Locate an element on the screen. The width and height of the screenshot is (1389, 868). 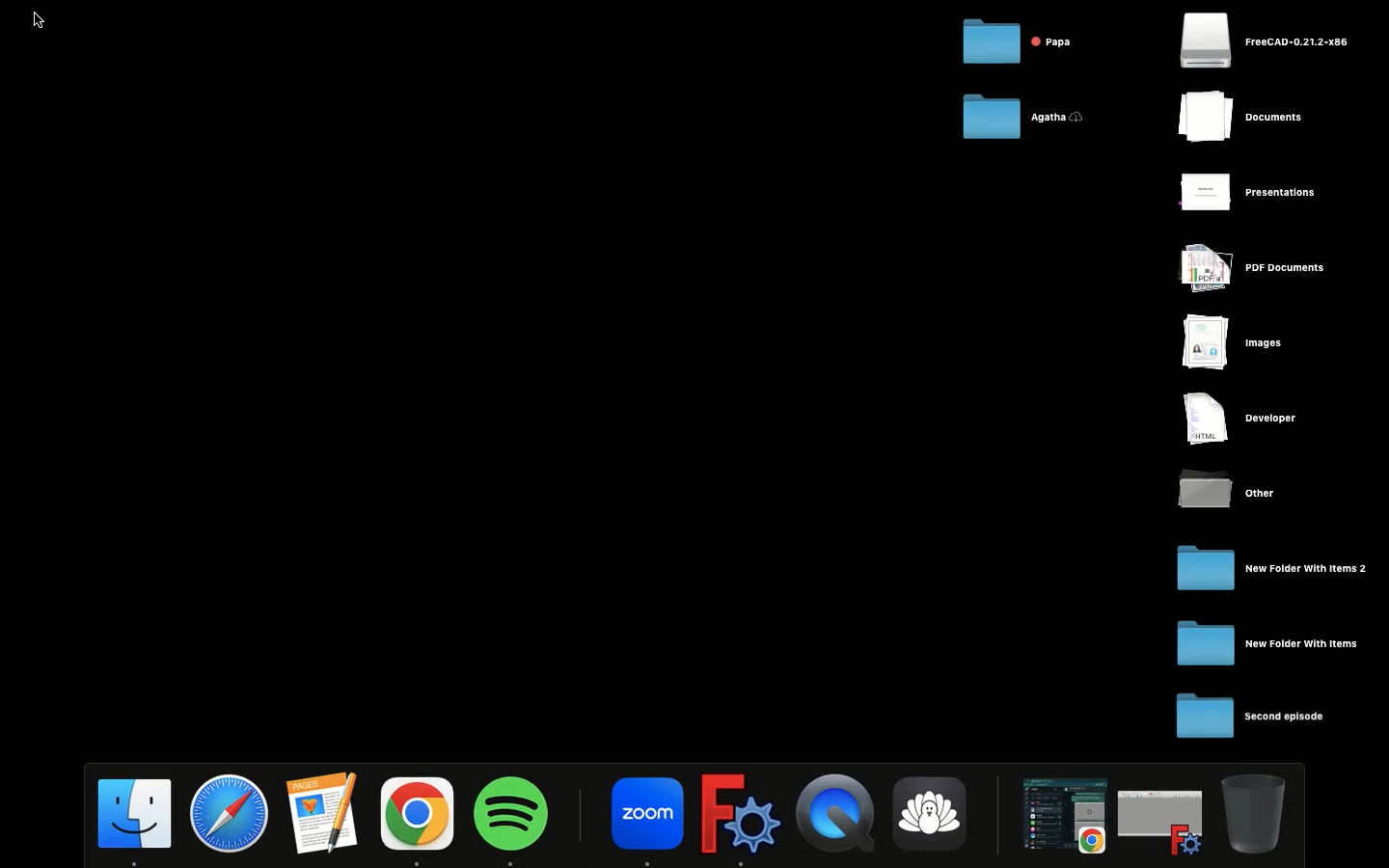
Video player is located at coordinates (840, 813).